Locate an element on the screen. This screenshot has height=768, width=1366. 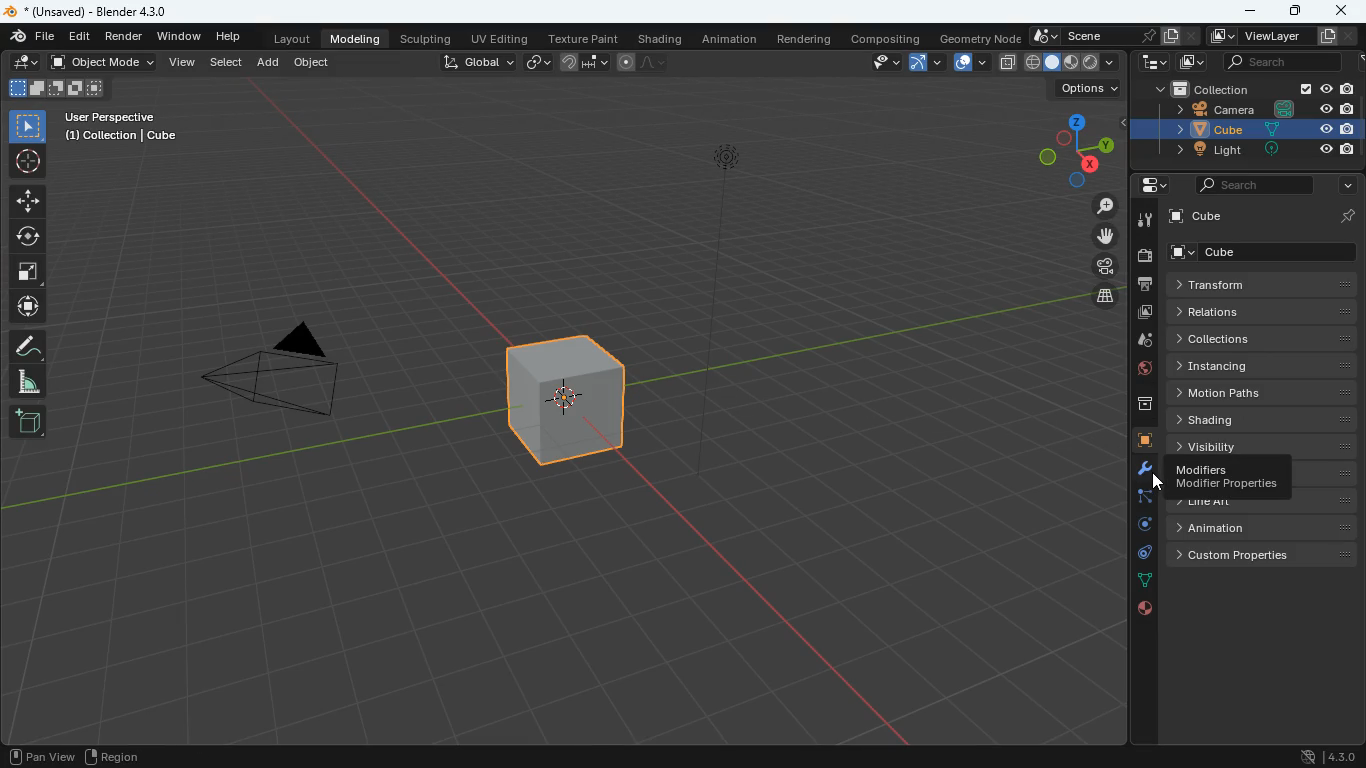
fullscreen is located at coordinates (32, 273).